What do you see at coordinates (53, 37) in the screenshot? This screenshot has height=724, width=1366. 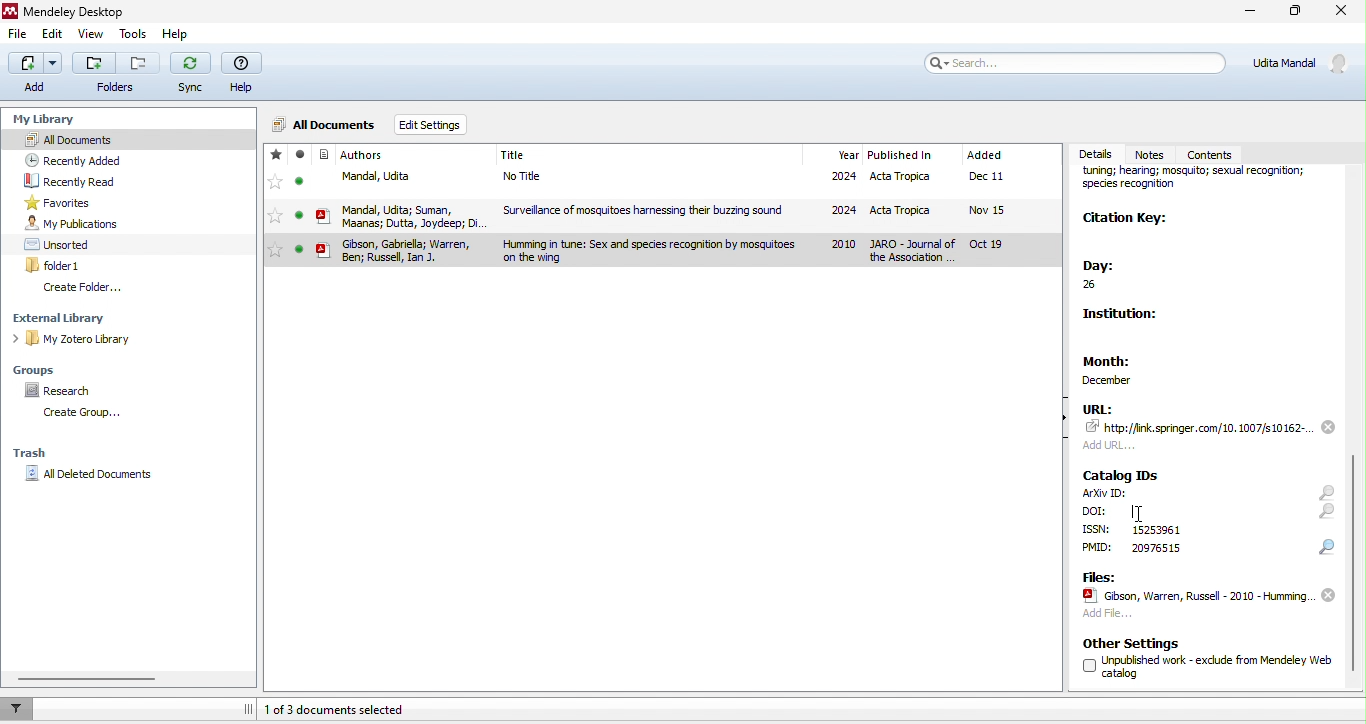 I see `edit` at bounding box center [53, 37].